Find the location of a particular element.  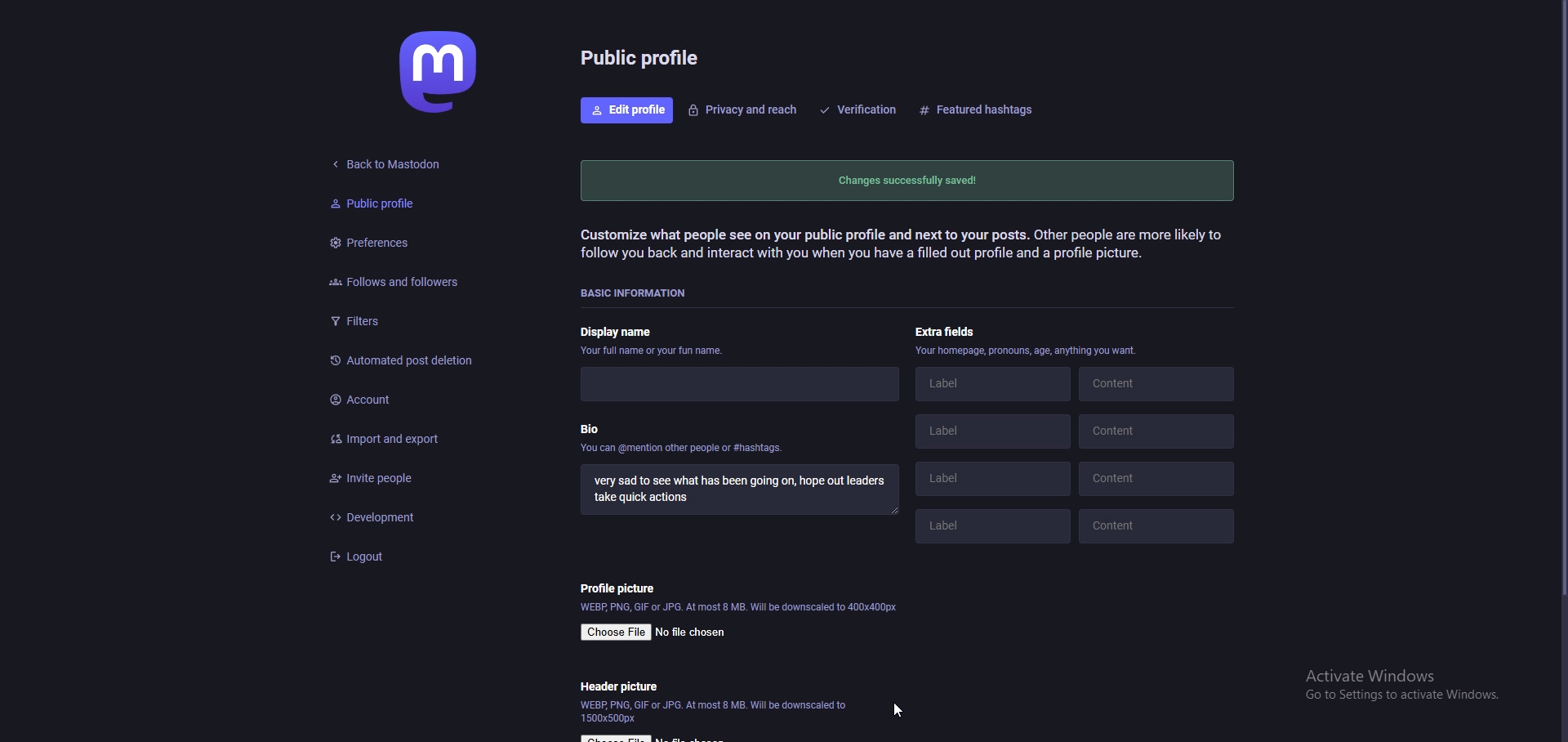

bio is located at coordinates (606, 425).